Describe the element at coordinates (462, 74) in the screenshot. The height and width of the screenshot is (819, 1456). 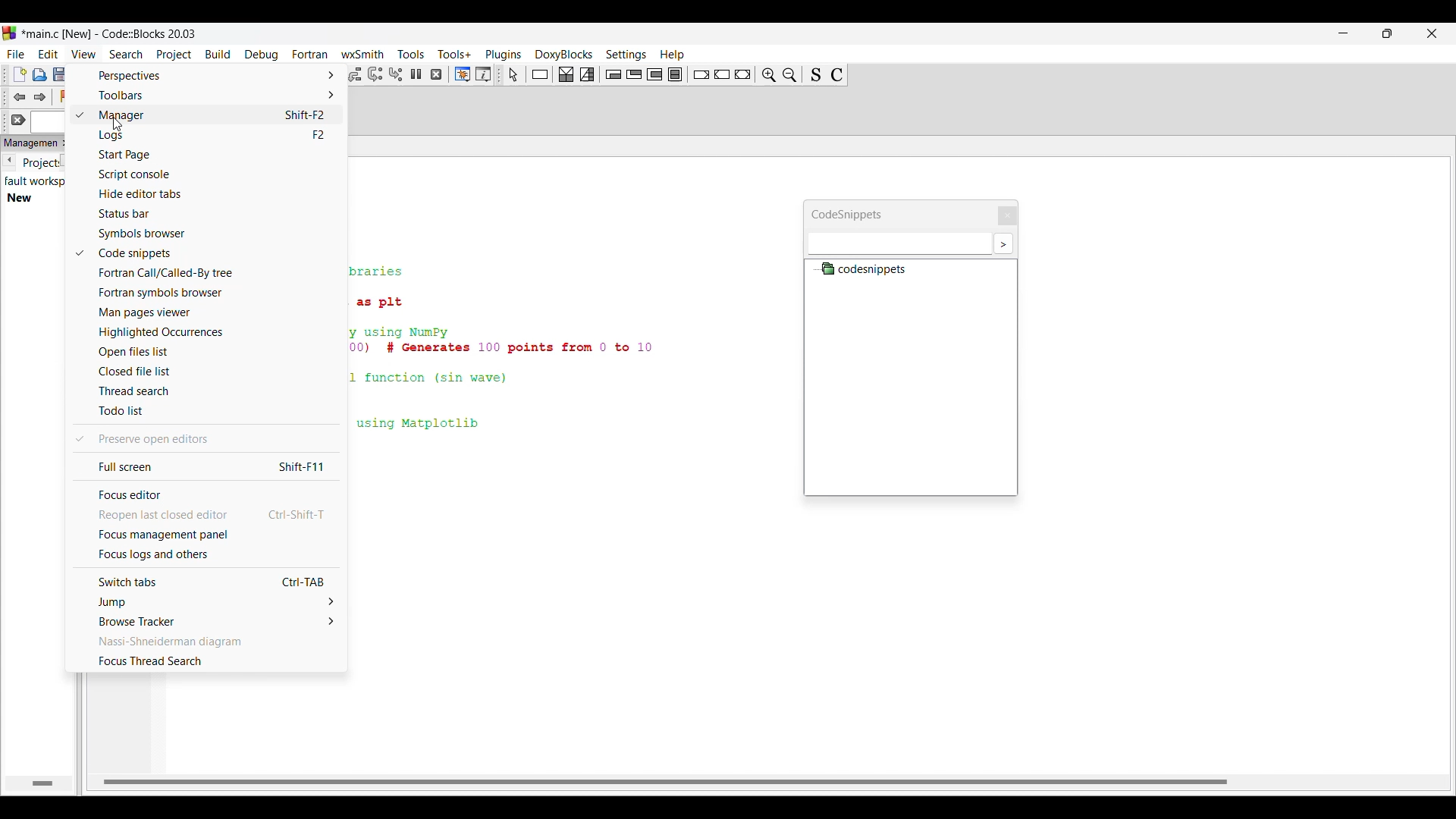
I see `Debugging windows` at that location.